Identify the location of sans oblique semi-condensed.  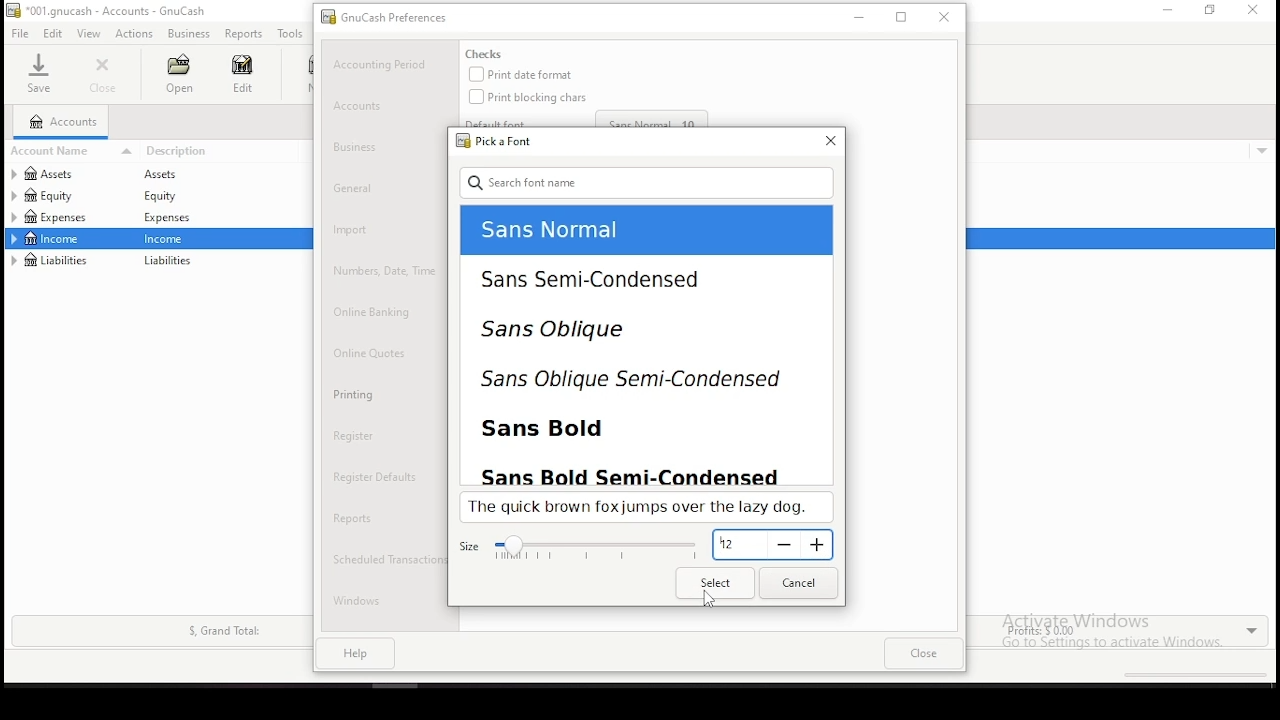
(627, 381).